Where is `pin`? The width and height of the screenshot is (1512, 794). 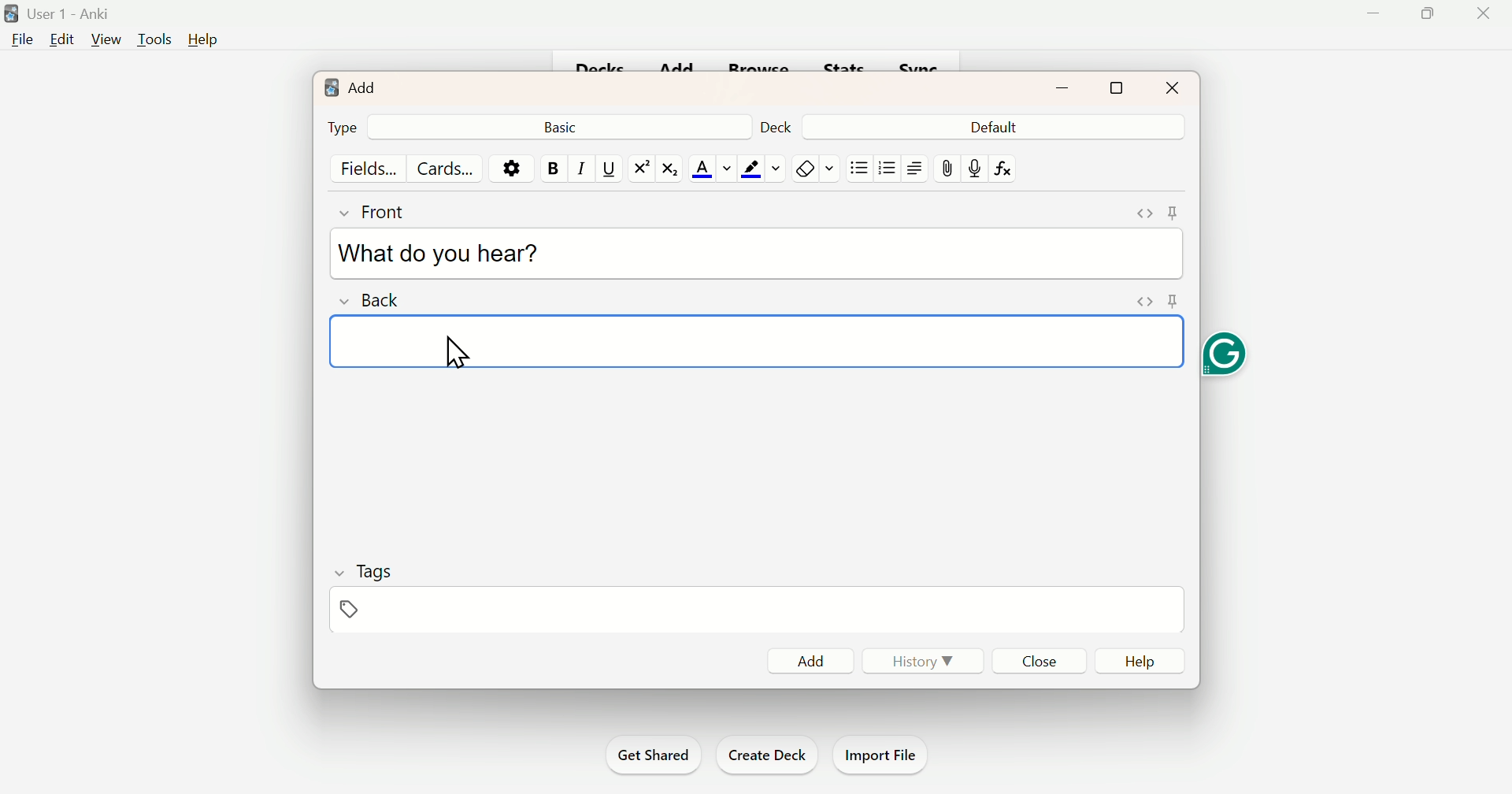 pin is located at coordinates (944, 167).